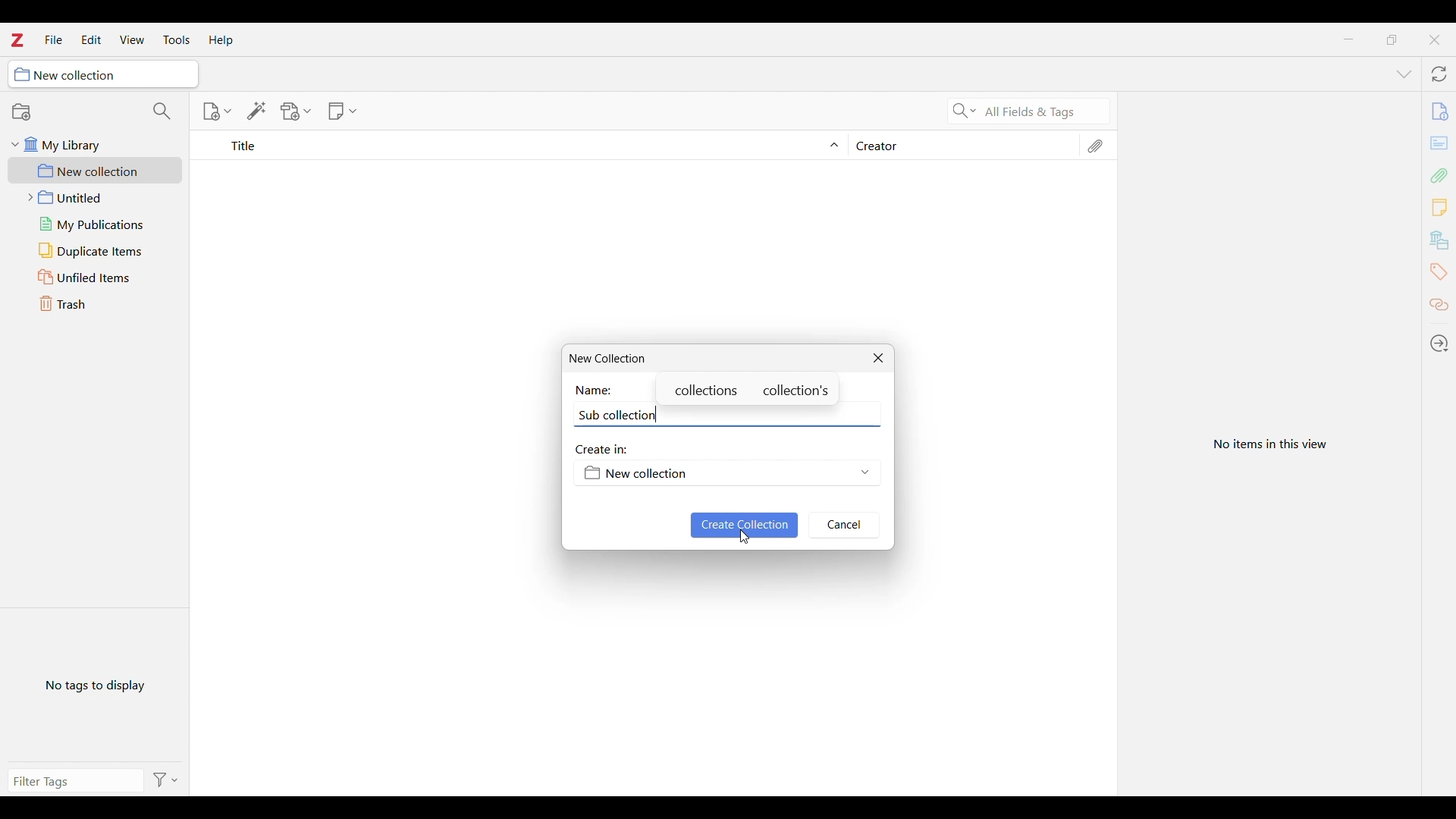 Image resolution: width=1456 pixels, height=819 pixels. Describe the element at coordinates (1439, 74) in the screenshot. I see `Sync with zotero.org` at that location.